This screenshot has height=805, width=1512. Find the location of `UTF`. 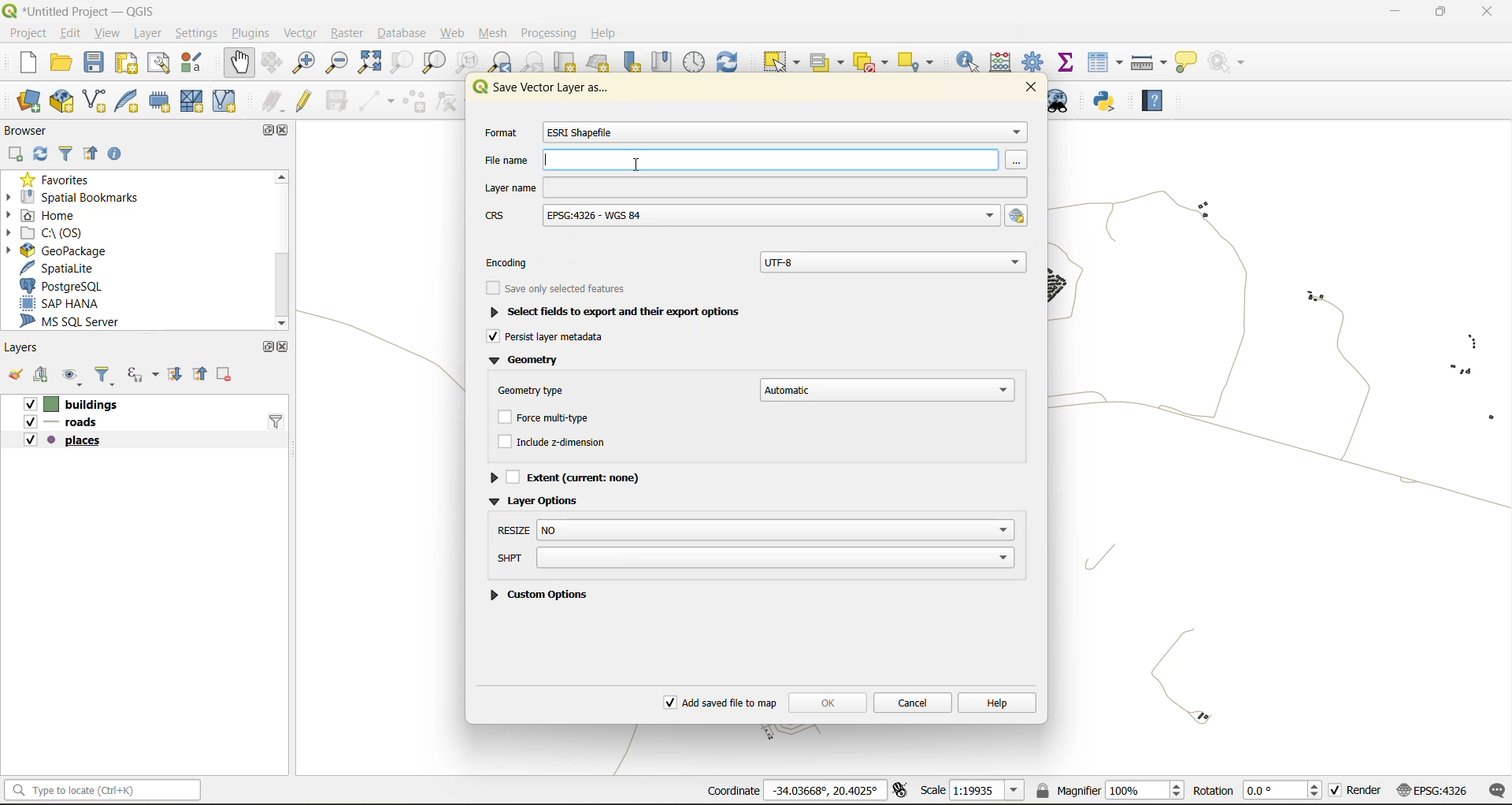

UTF is located at coordinates (895, 260).